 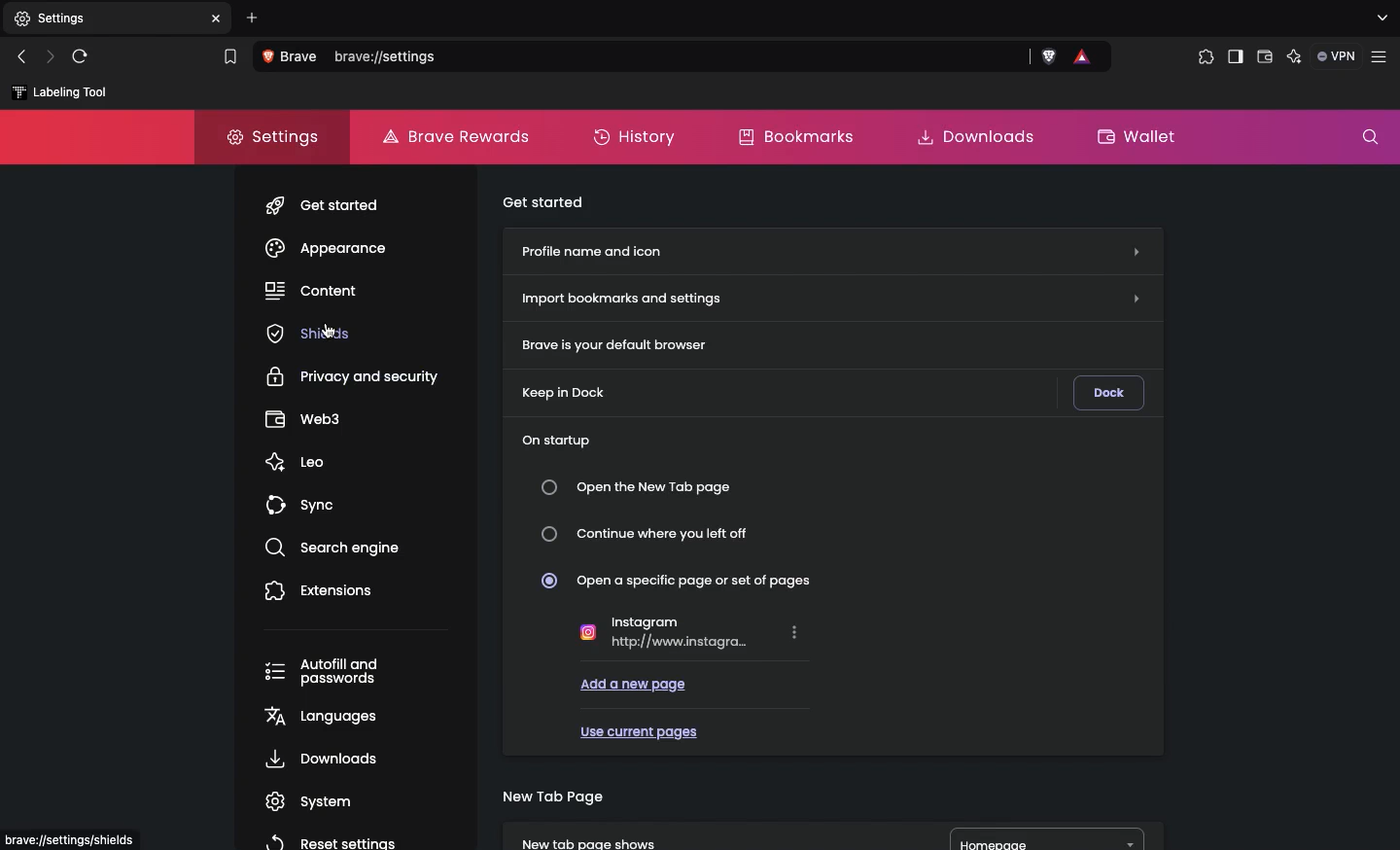 I want to click on VPN, so click(x=1338, y=57).